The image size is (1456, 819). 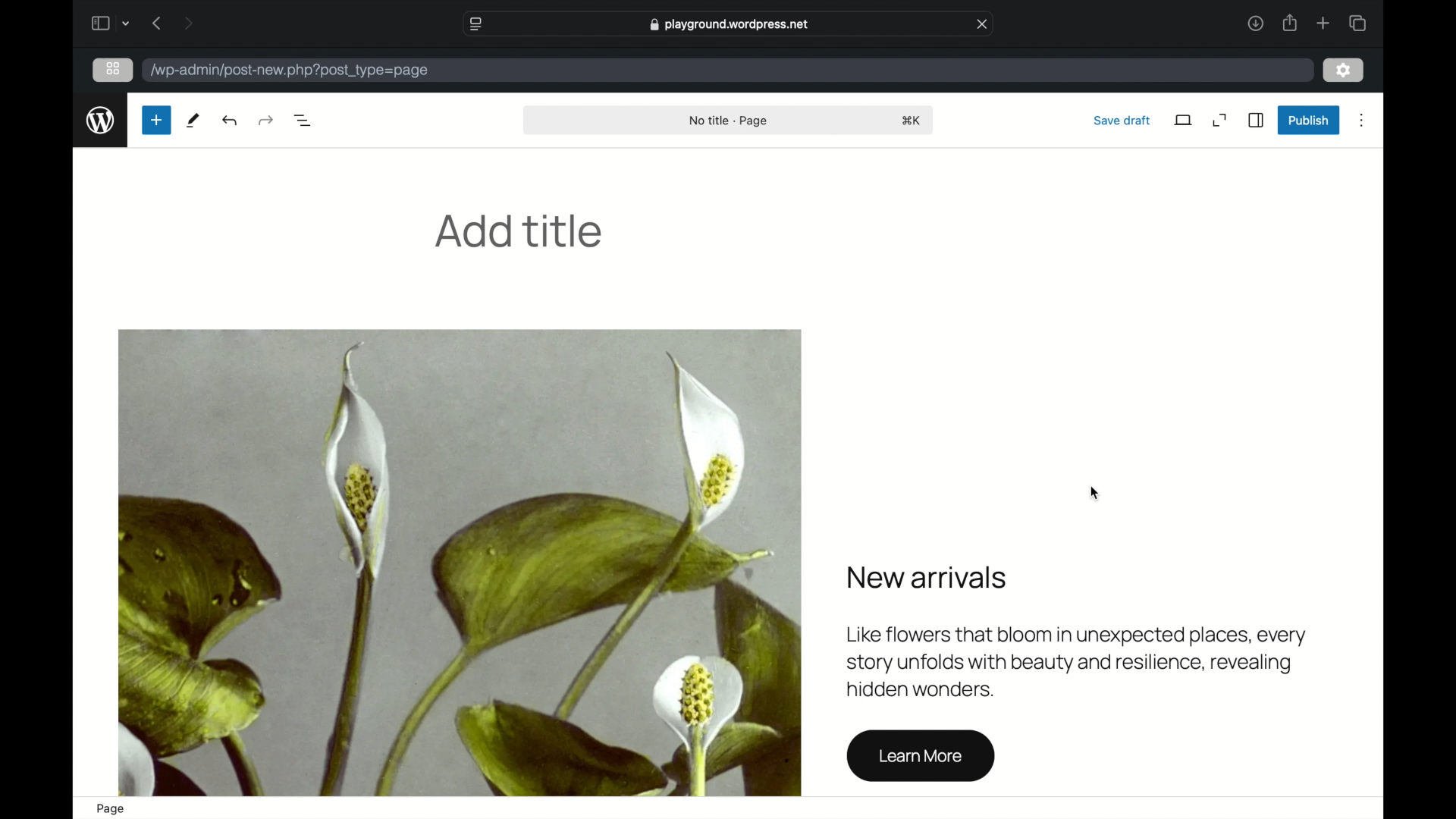 I want to click on Plant image, so click(x=459, y=563).